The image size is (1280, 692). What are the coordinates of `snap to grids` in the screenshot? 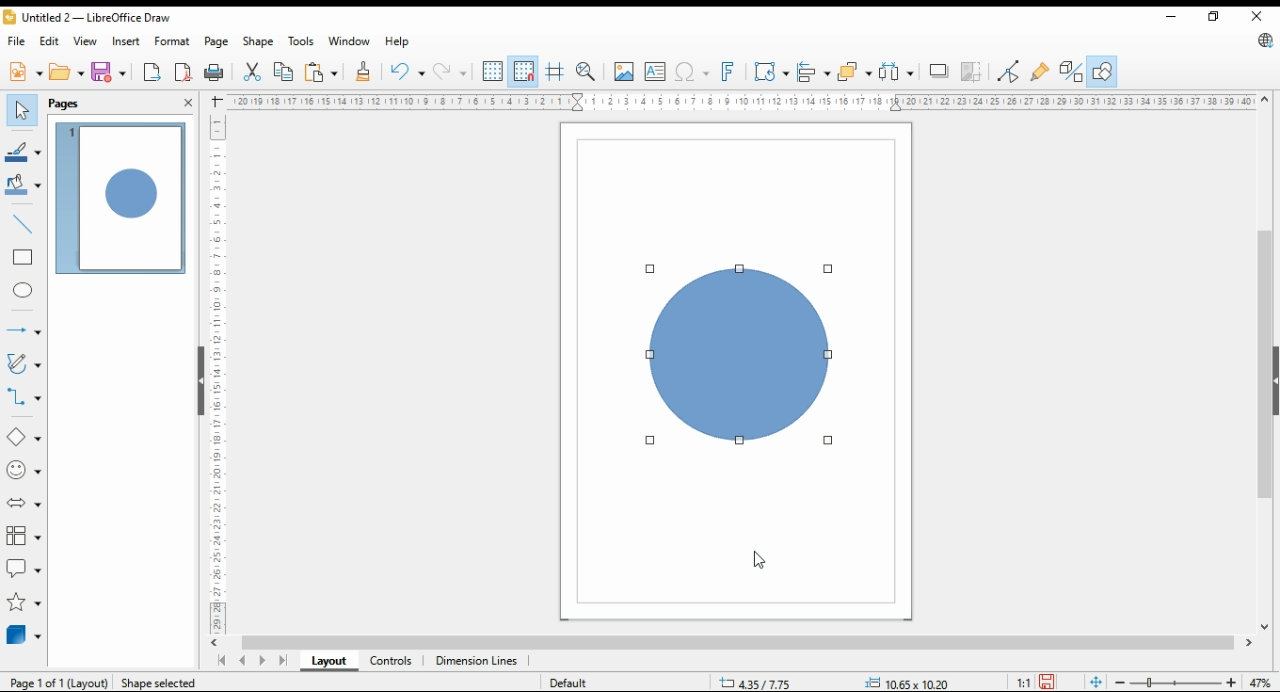 It's located at (524, 72).